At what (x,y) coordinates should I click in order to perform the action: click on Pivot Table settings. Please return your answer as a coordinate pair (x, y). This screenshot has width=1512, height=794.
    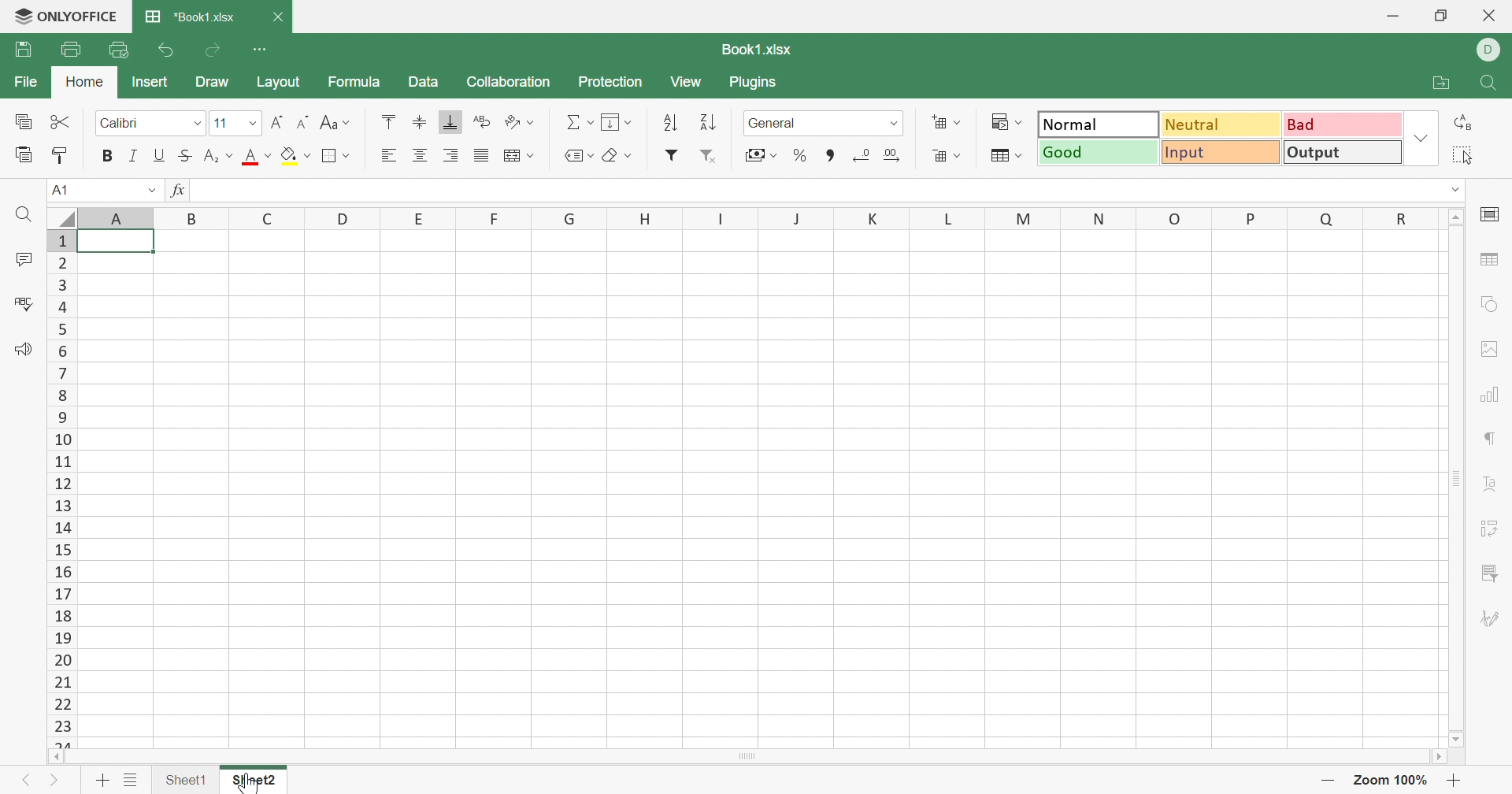
    Looking at the image, I should click on (1492, 529).